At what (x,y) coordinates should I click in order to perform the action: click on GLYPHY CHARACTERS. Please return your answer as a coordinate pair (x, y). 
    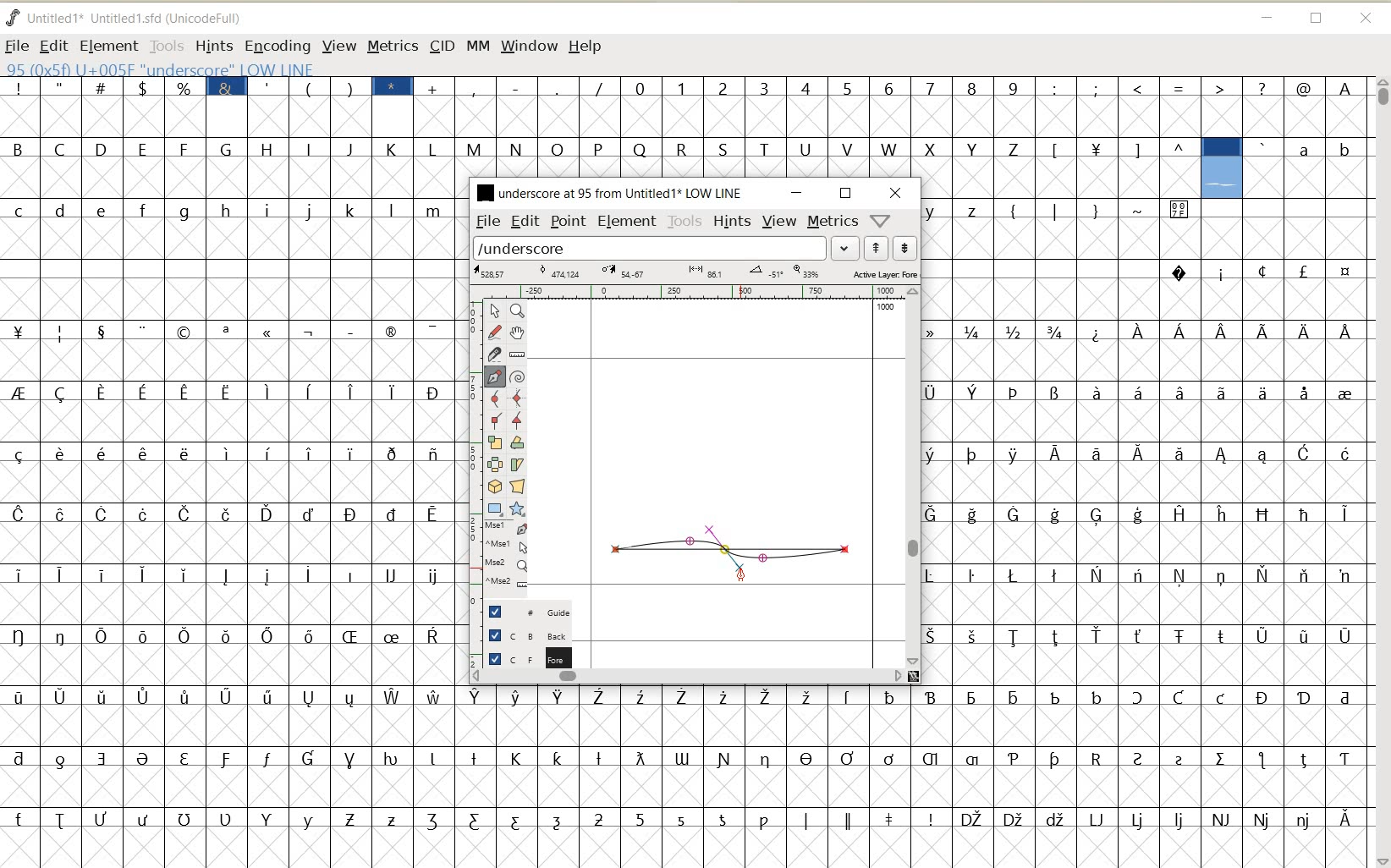
    Looking at the image, I should click on (1284, 524).